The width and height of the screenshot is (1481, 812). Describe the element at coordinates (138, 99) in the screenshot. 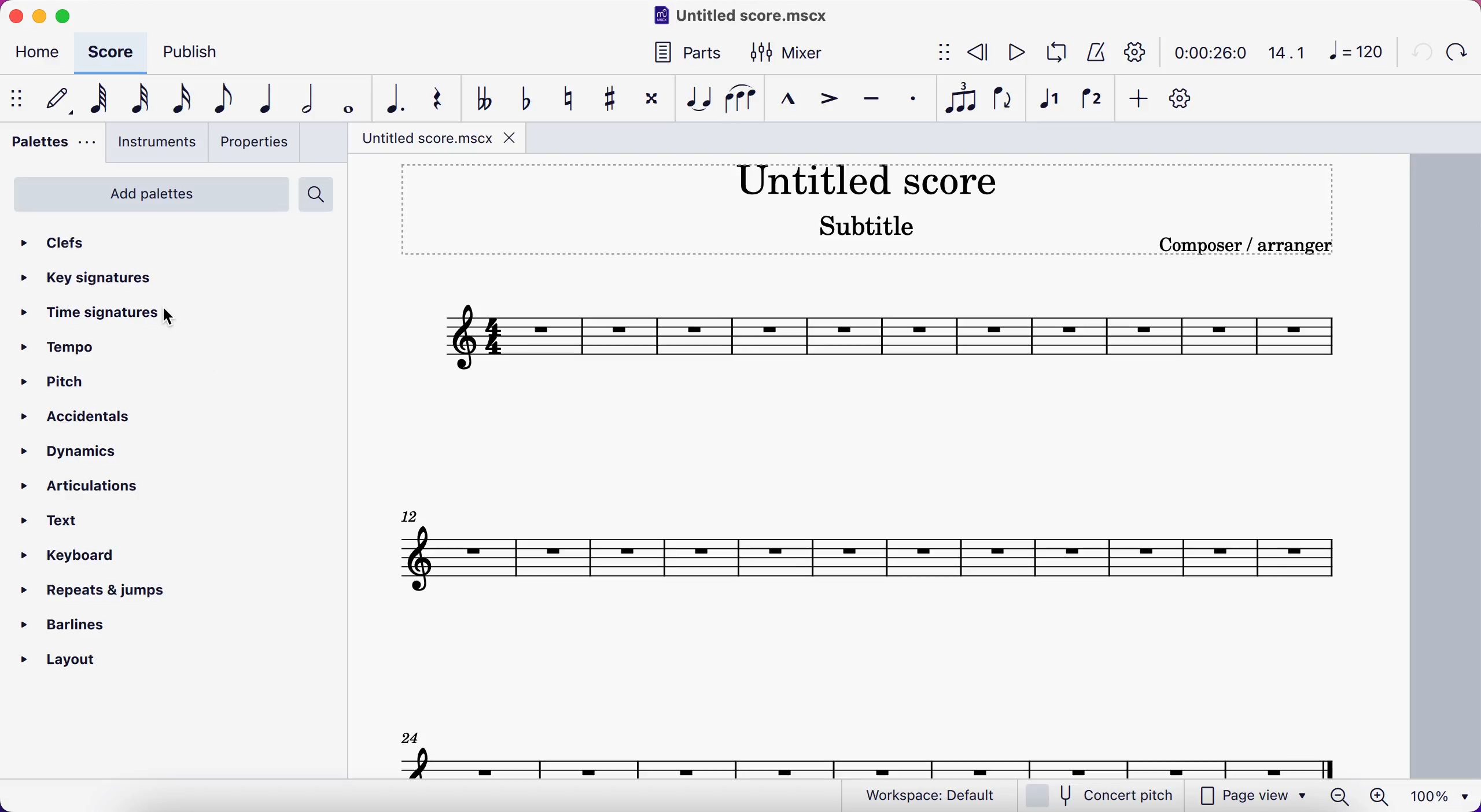

I see `32nd note` at that location.